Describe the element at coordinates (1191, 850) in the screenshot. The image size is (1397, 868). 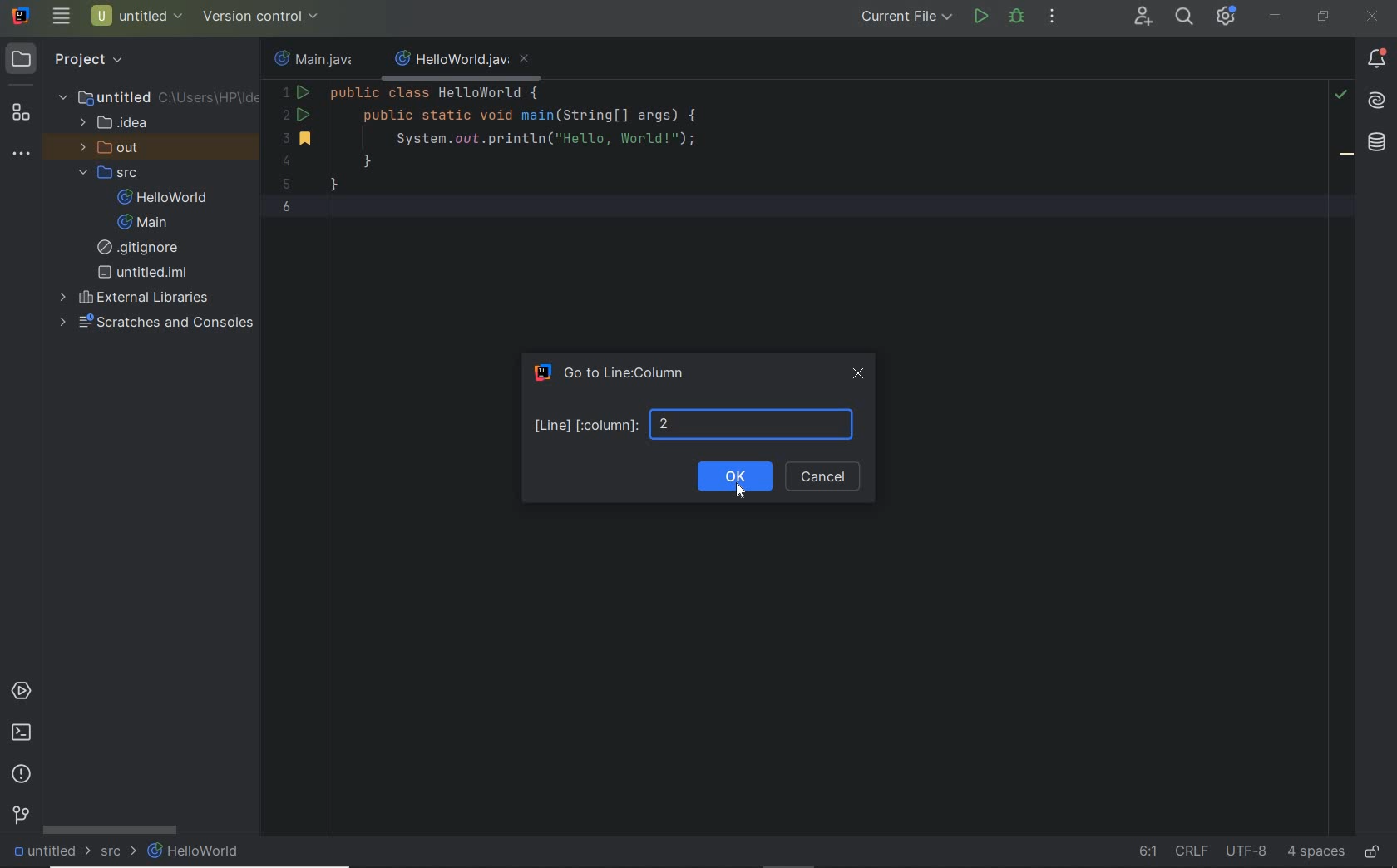
I see `line separator` at that location.